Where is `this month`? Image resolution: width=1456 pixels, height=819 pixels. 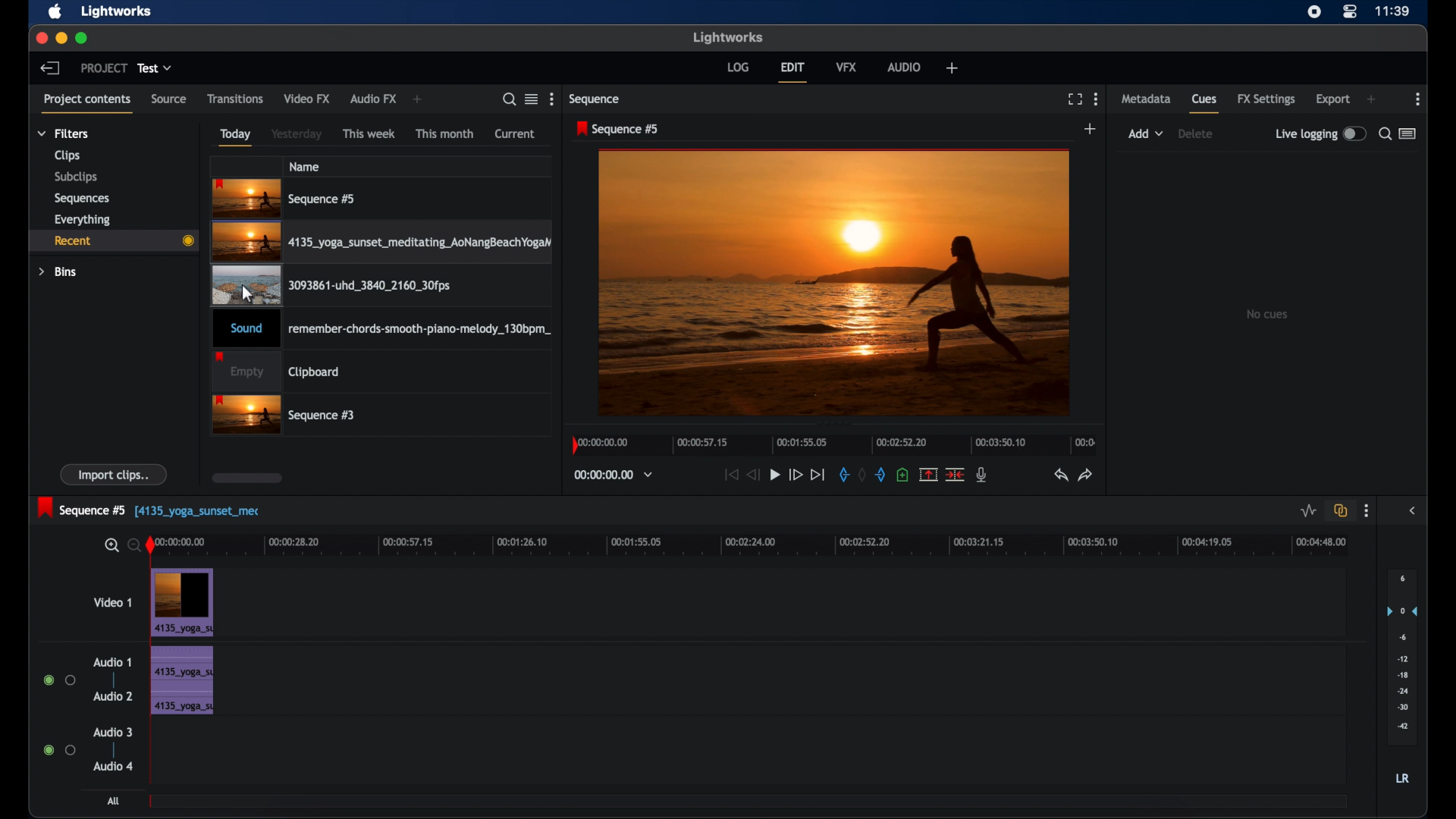
this month is located at coordinates (444, 133).